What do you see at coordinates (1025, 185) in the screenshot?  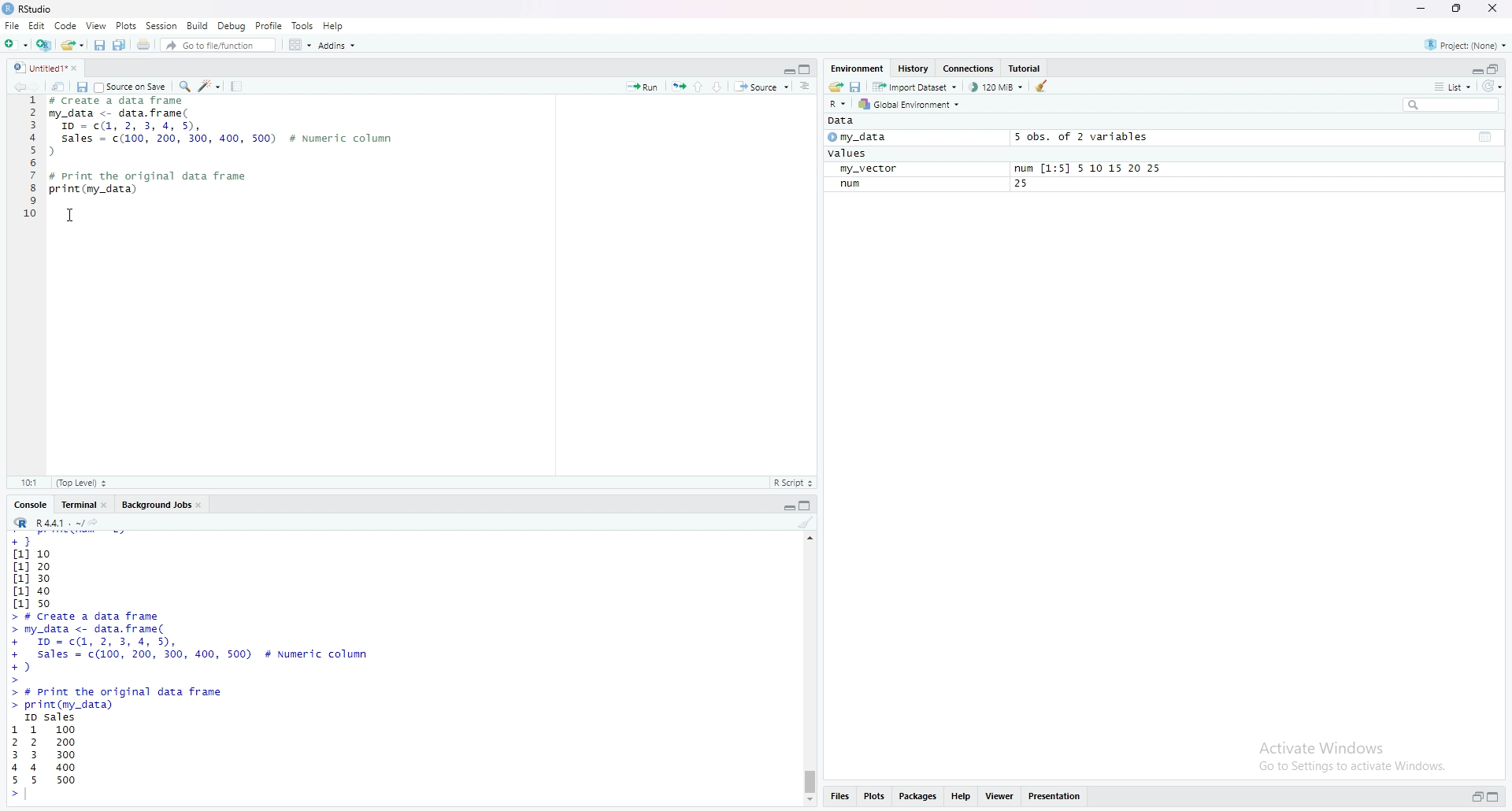 I see `25` at bounding box center [1025, 185].